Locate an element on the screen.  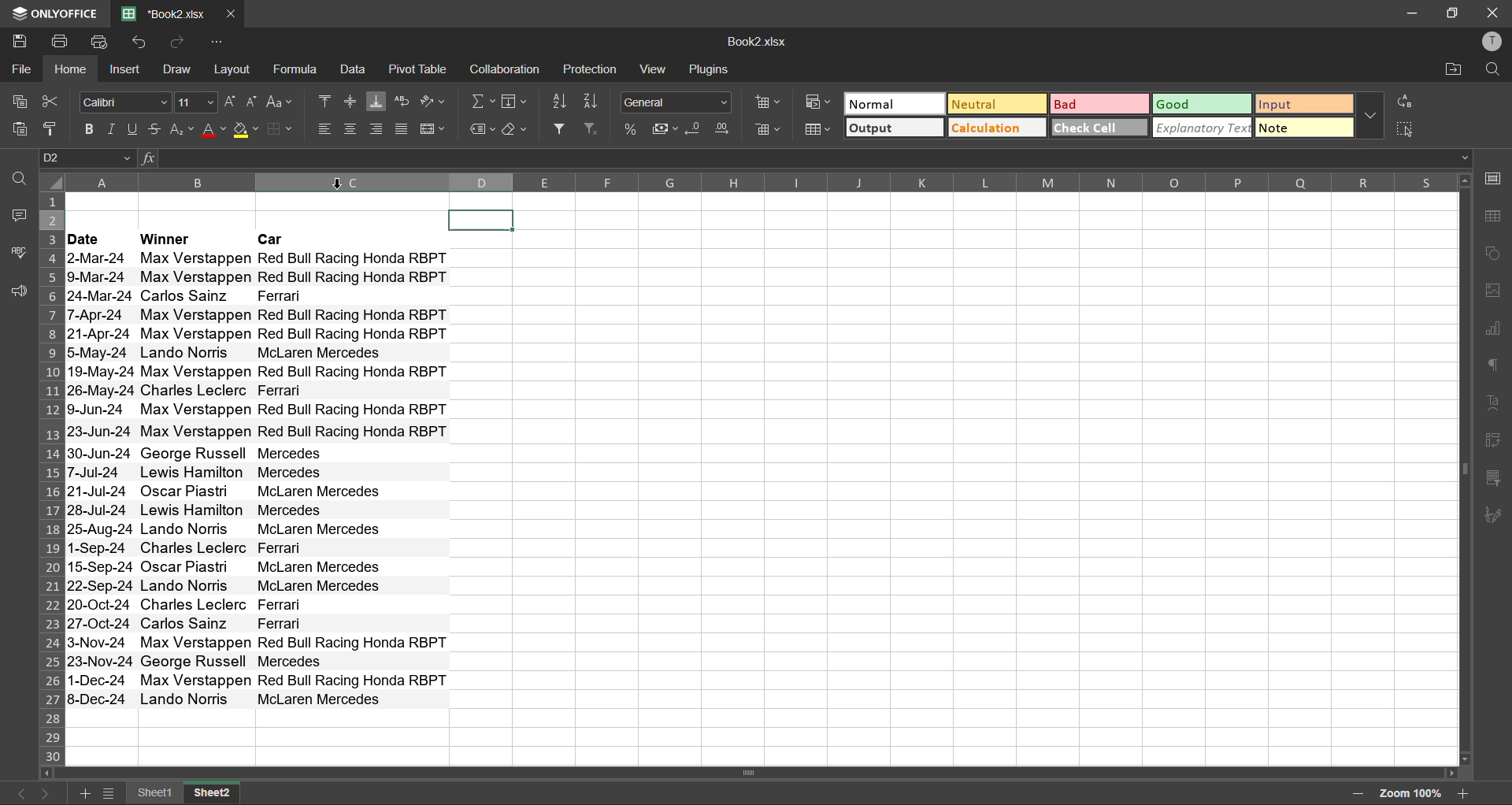
align middle is located at coordinates (350, 99).